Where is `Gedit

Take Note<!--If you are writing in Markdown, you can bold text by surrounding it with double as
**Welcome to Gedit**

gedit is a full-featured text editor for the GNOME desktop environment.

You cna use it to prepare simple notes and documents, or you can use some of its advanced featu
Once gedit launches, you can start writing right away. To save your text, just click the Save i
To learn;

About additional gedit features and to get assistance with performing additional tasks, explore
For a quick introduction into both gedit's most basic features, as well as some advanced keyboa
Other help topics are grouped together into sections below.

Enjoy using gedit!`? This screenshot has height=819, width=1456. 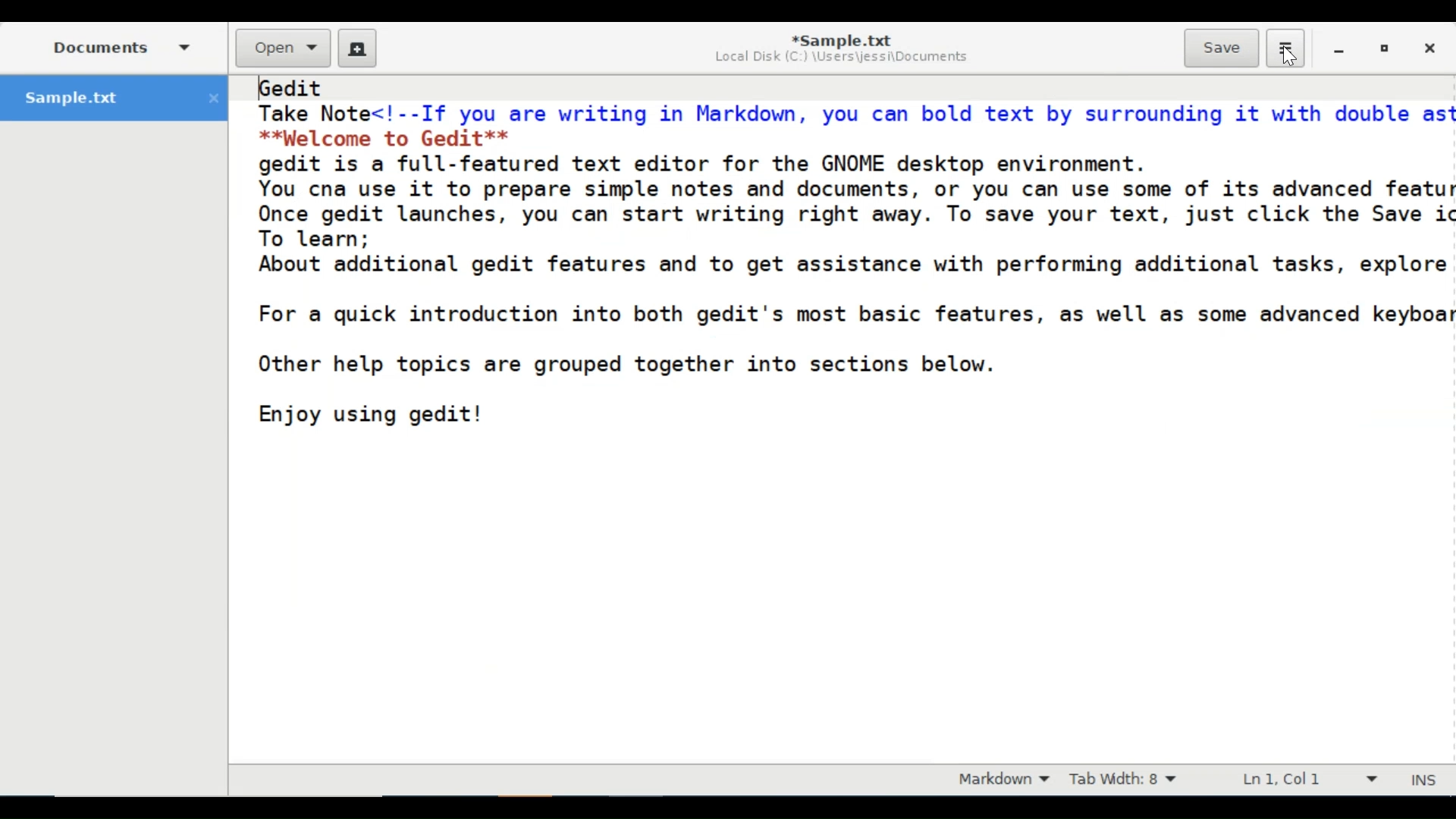
Gedit

Take Note<!--If you are writing in Markdown, you can bold text by surrounding it with double as
**Welcome to Gedit**

gedit is a full-featured text editor for the GNOME desktop environment.

You cna use it to prepare simple notes and documents, or you can use some of its advanced featu
Once gedit launches, you can start writing right away. To save your text, just click the Save i
To learn;

About additional gedit features and to get assistance with performing additional tasks, explore
For a quick introduction into both gedit's most basic features, as well as some advanced keyboa
Other help topics are grouped together into sections below.

Enjoy using gedit! is located at coordinates (849, 271).